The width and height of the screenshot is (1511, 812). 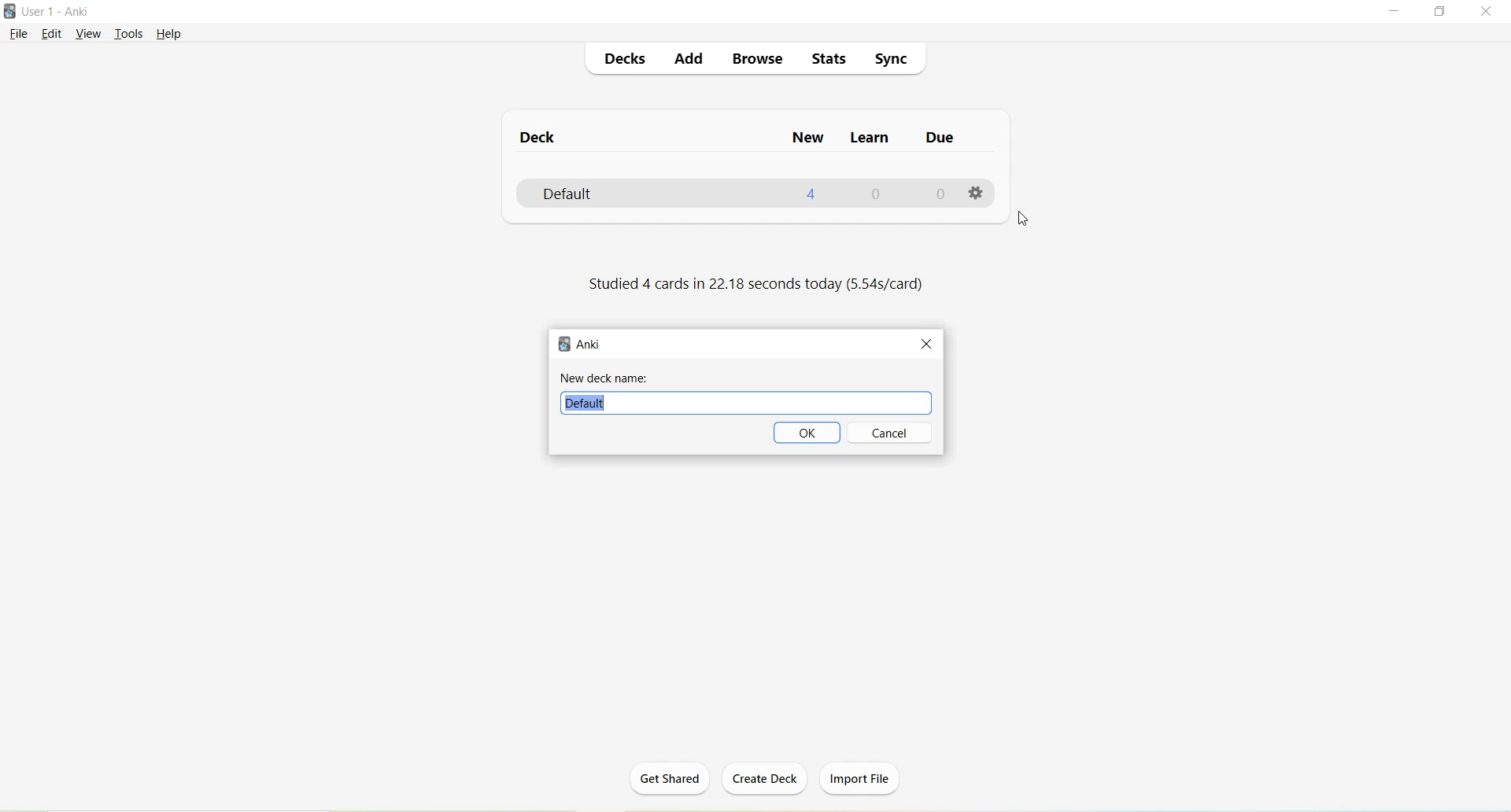 What do you see at coordinates (829, 58) in the screenshot?
I see `Stats` at bounding box center [829, 58].